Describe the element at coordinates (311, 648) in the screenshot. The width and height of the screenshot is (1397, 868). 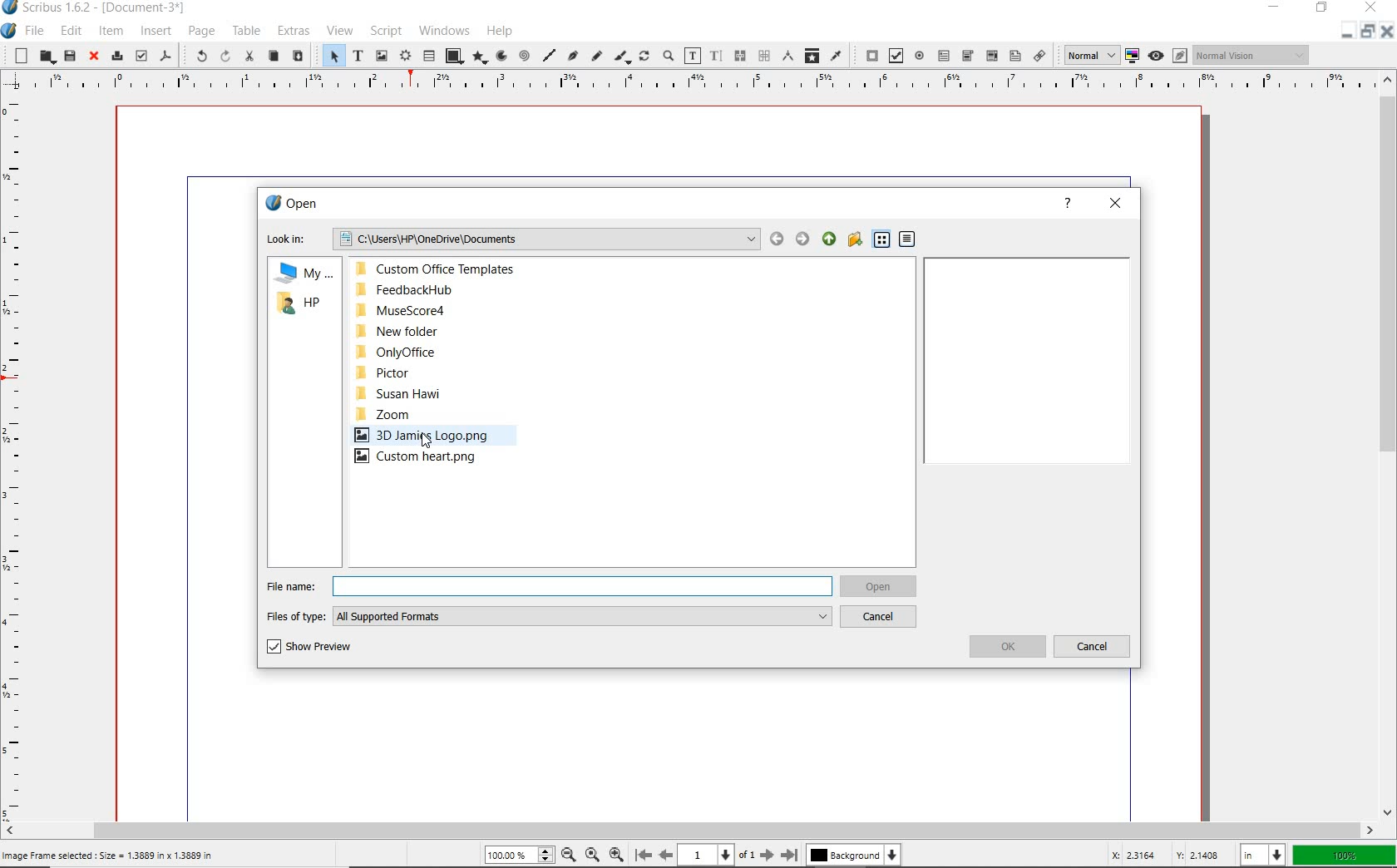
I see `SHOW PREVIEW` at that location.